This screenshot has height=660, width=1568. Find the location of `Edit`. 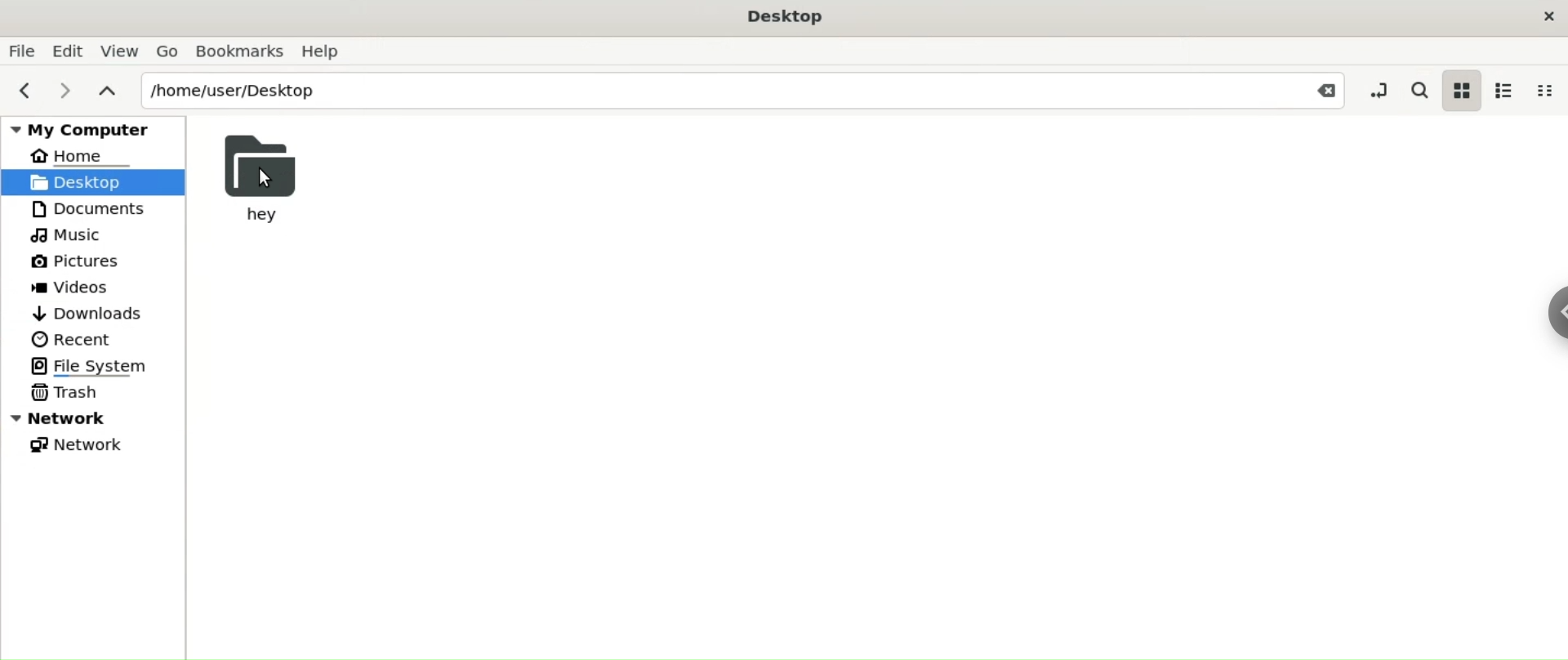

Edit is located at coordinates (70, 49).